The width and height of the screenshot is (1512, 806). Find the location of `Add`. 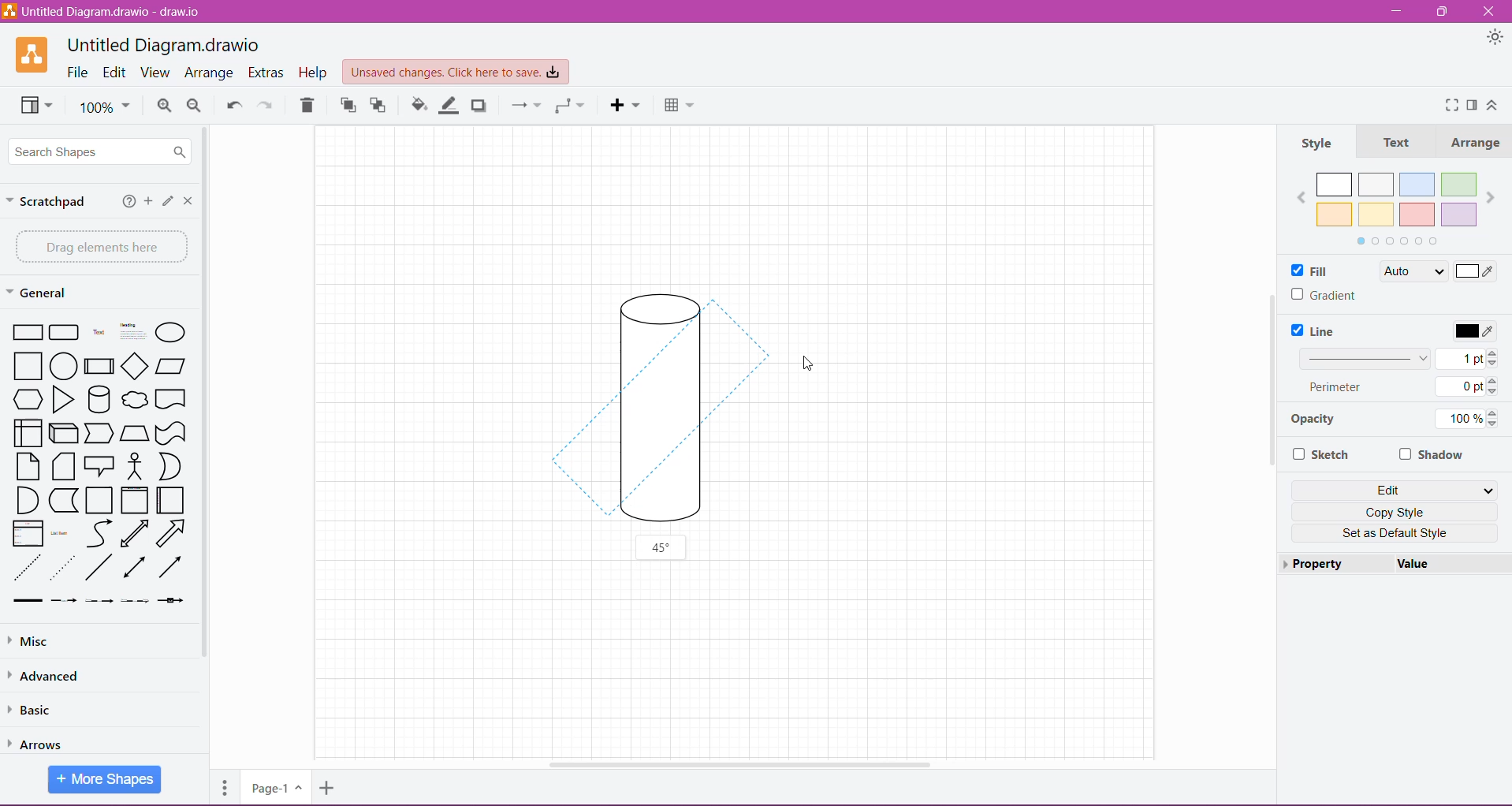

Add is located at coordinates (147, 203).